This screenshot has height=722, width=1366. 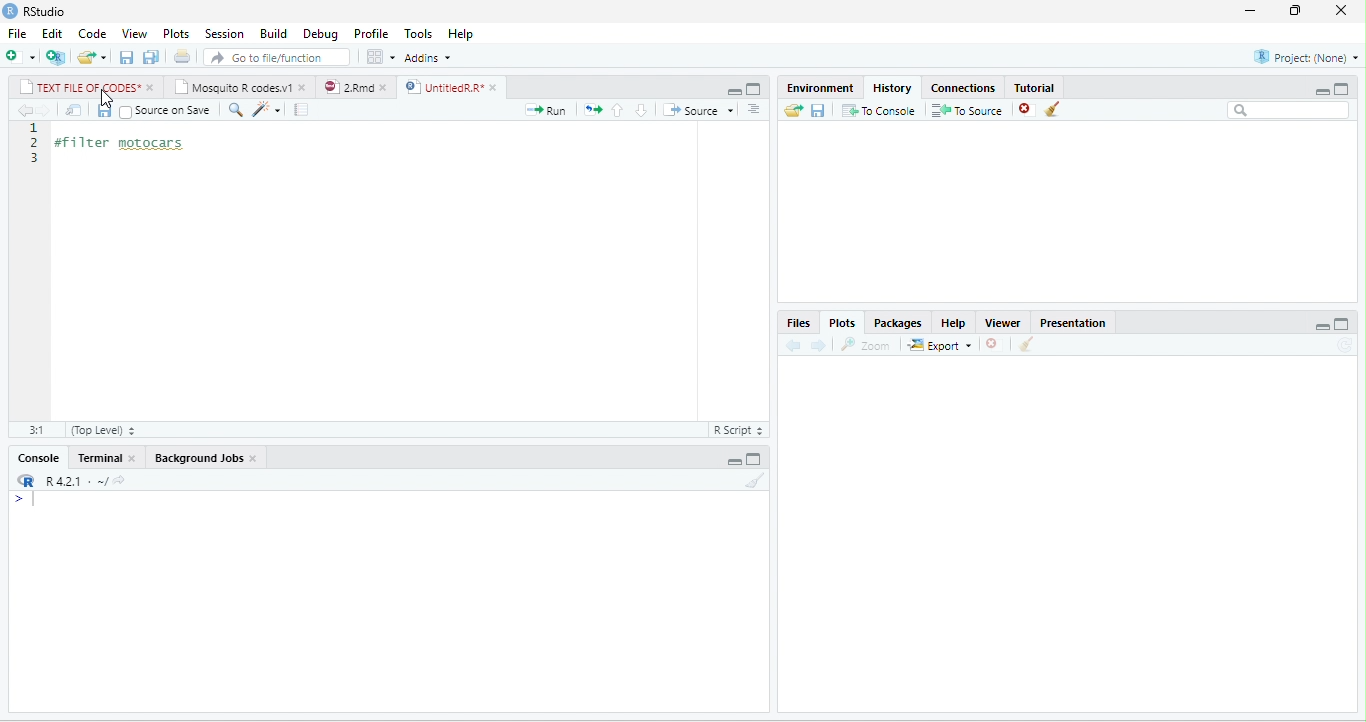 What do you see at coordinates (380, 56) in the screenshot?
I see `options` at bounding box center [380, 56].